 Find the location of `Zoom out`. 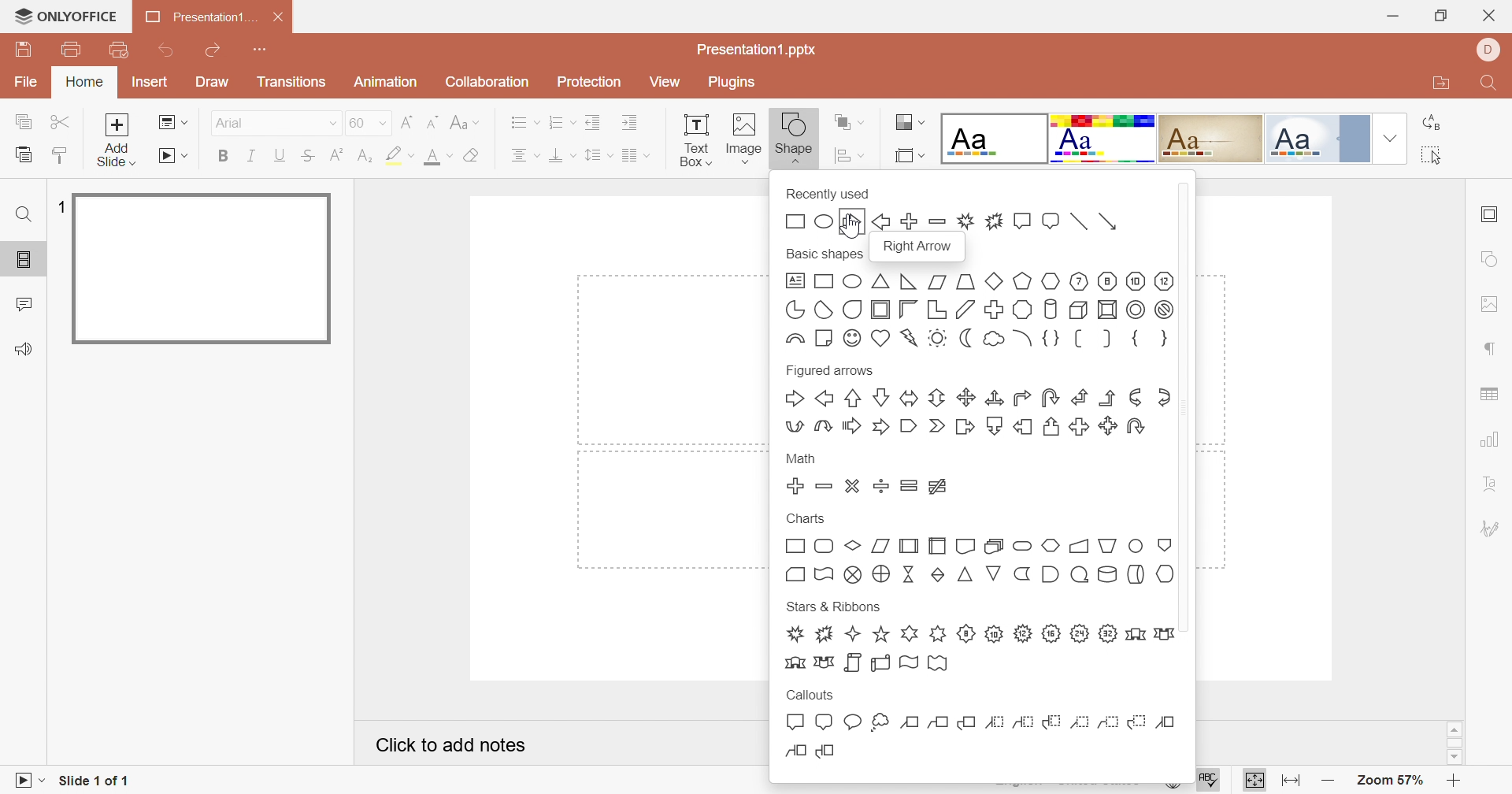

Zoom out is located at coordinates (1328, 781).